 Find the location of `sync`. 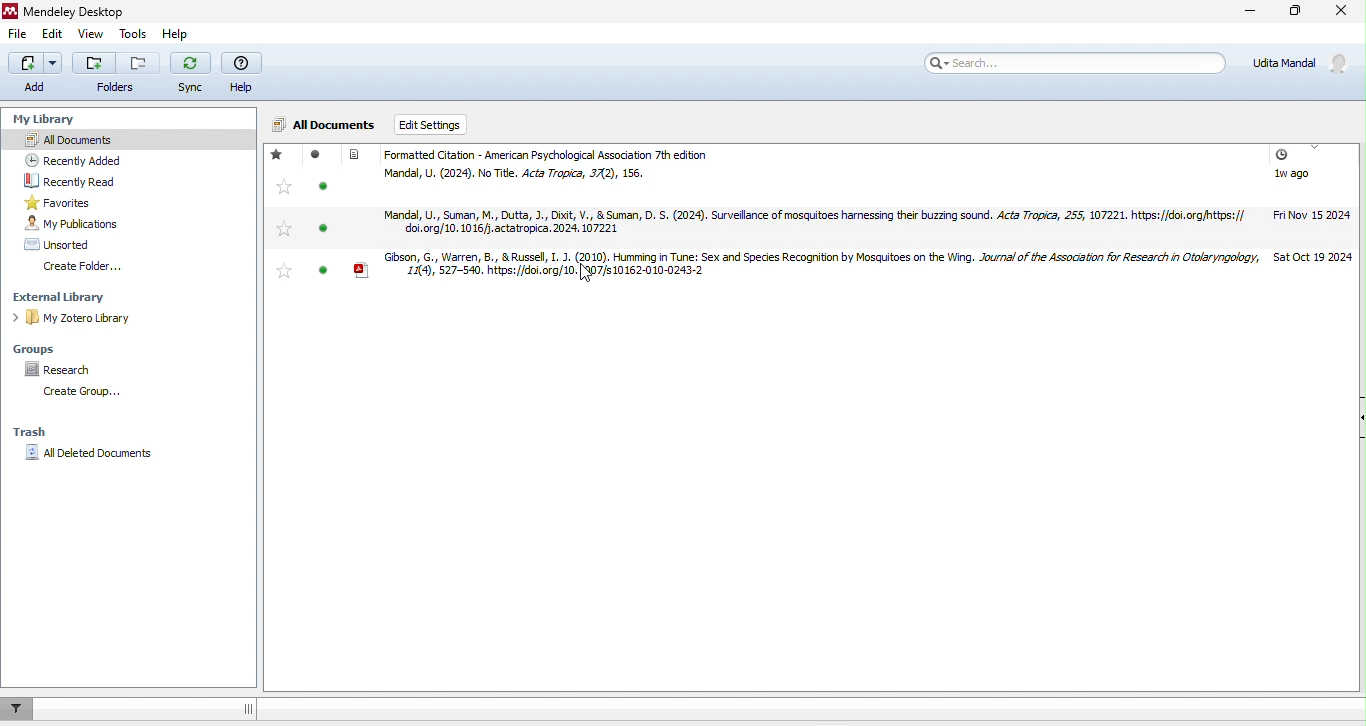

sync is located at coordinates (192, 76).